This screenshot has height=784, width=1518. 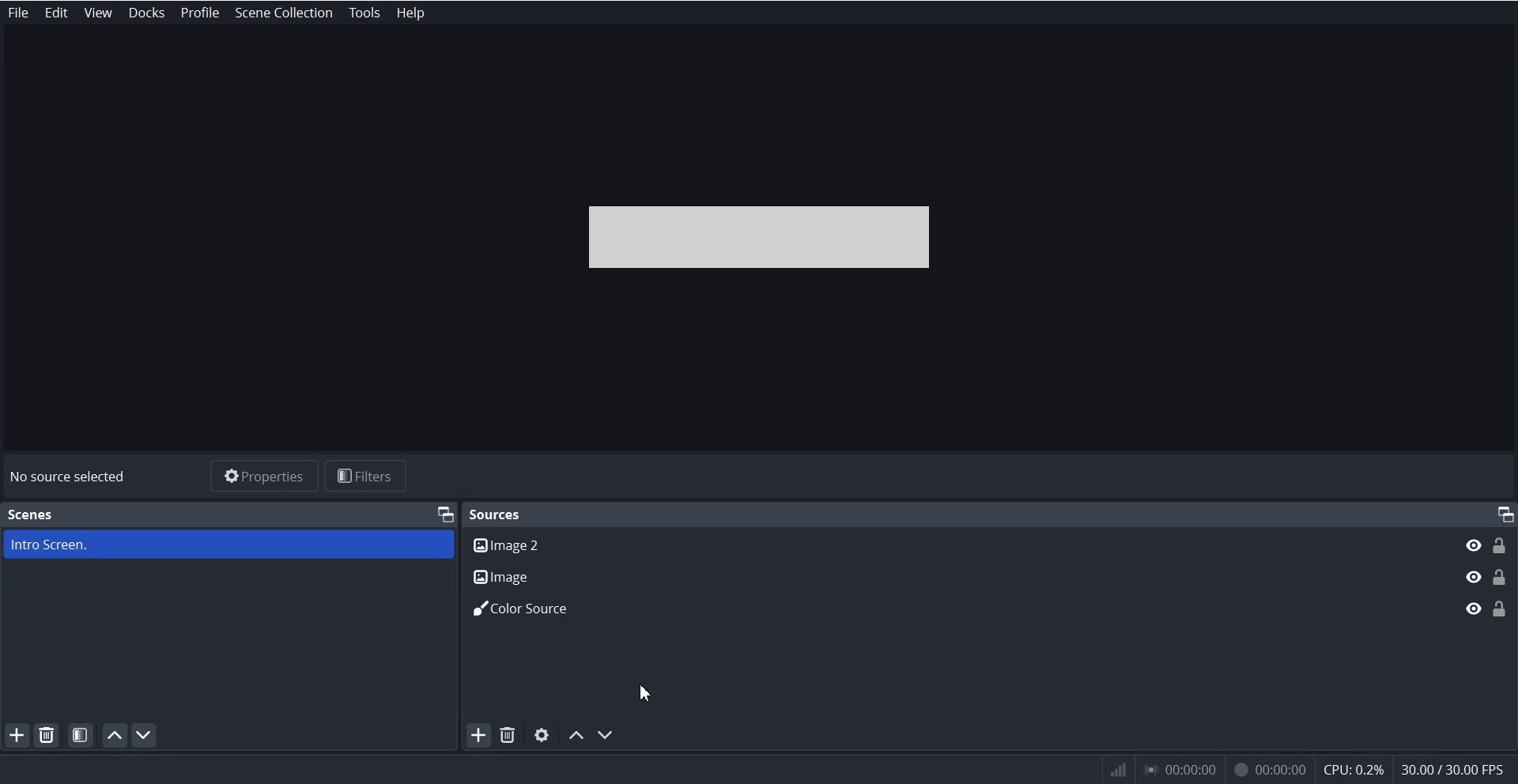 I want to click on Maximize, so click(x=1504, y=514).